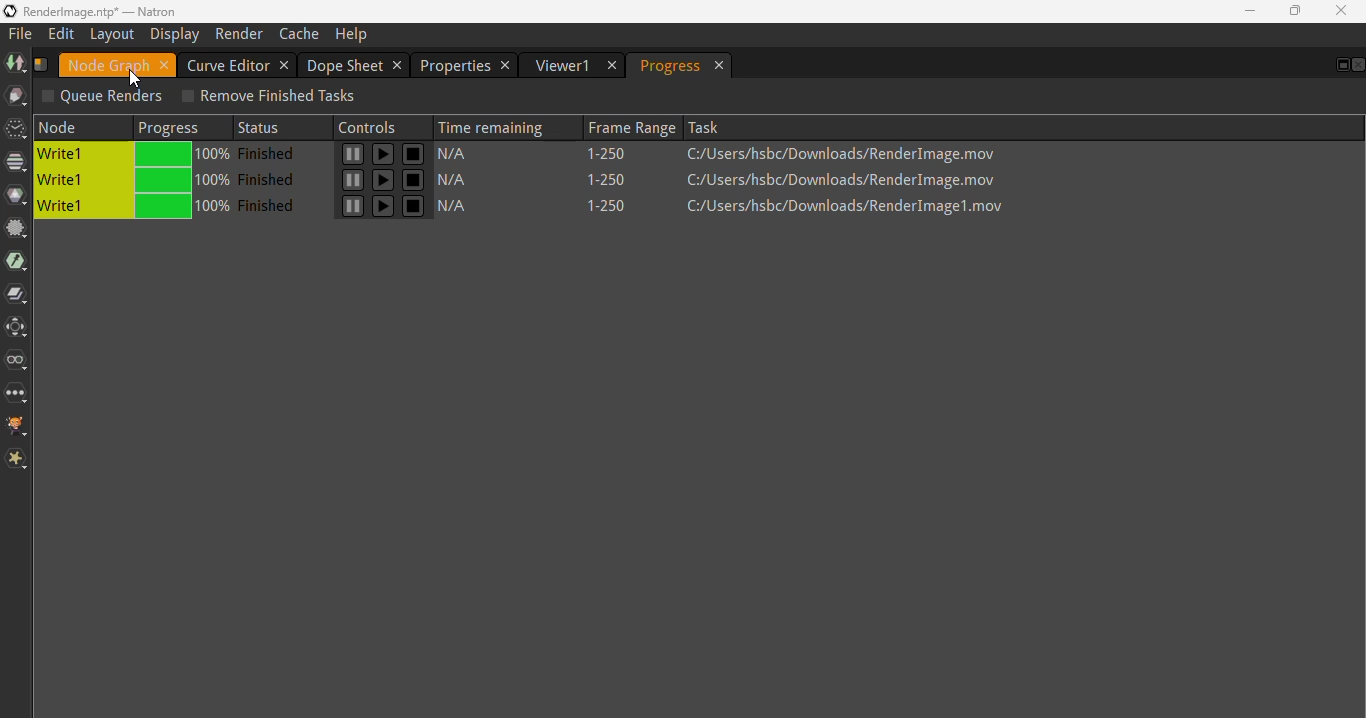 The height and width of the screenshot is (718, 1366). I want to click on minimize, so click(1250, 10).